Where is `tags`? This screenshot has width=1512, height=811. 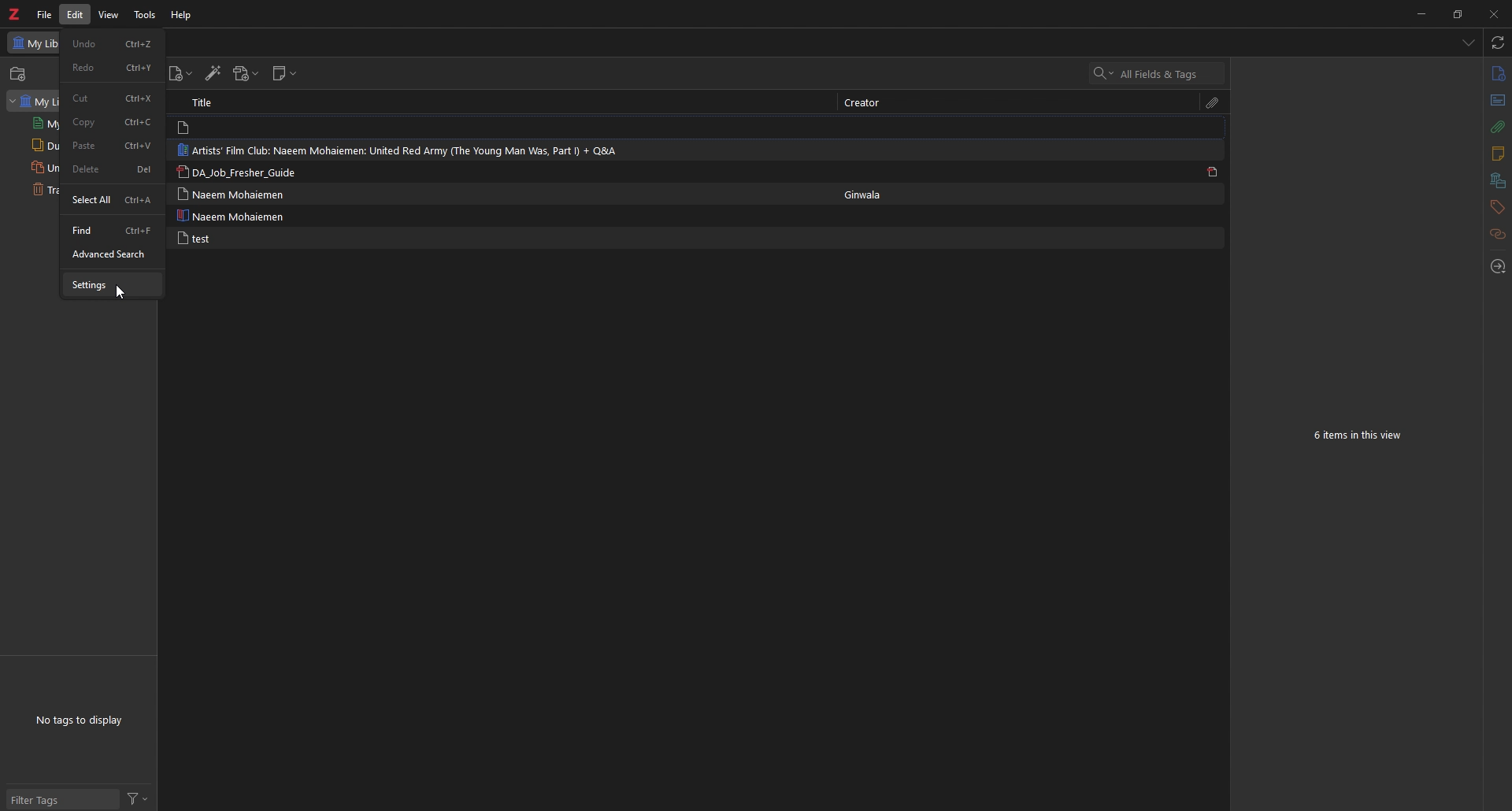
tags is located at coordinates (1496, 207).